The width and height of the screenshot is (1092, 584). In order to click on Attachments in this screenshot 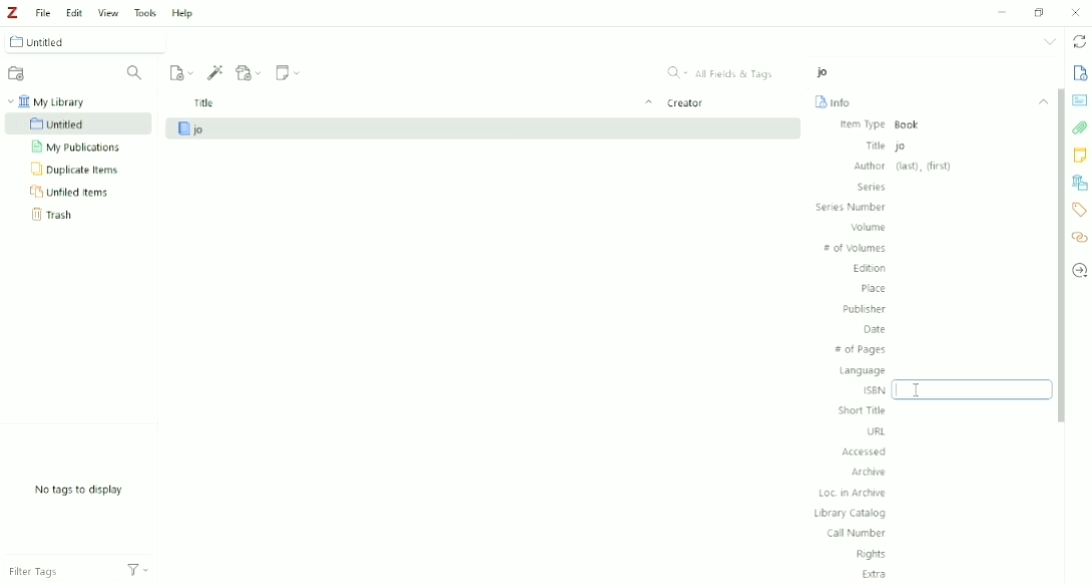, I will do `click(1080, 130)`.